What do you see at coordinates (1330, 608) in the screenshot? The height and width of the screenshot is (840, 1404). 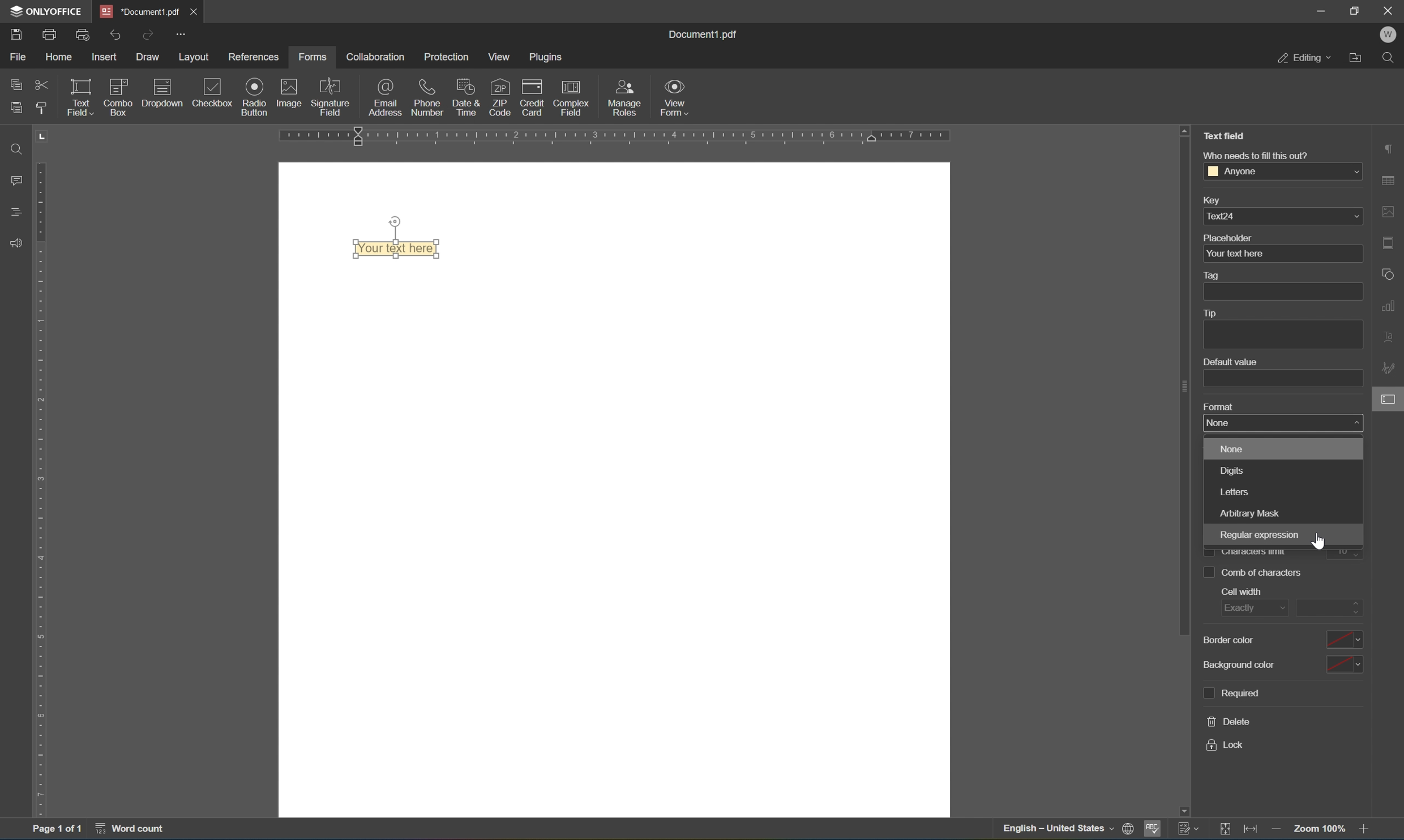 I see `edit cell width` at bounding box center [1330, 608].